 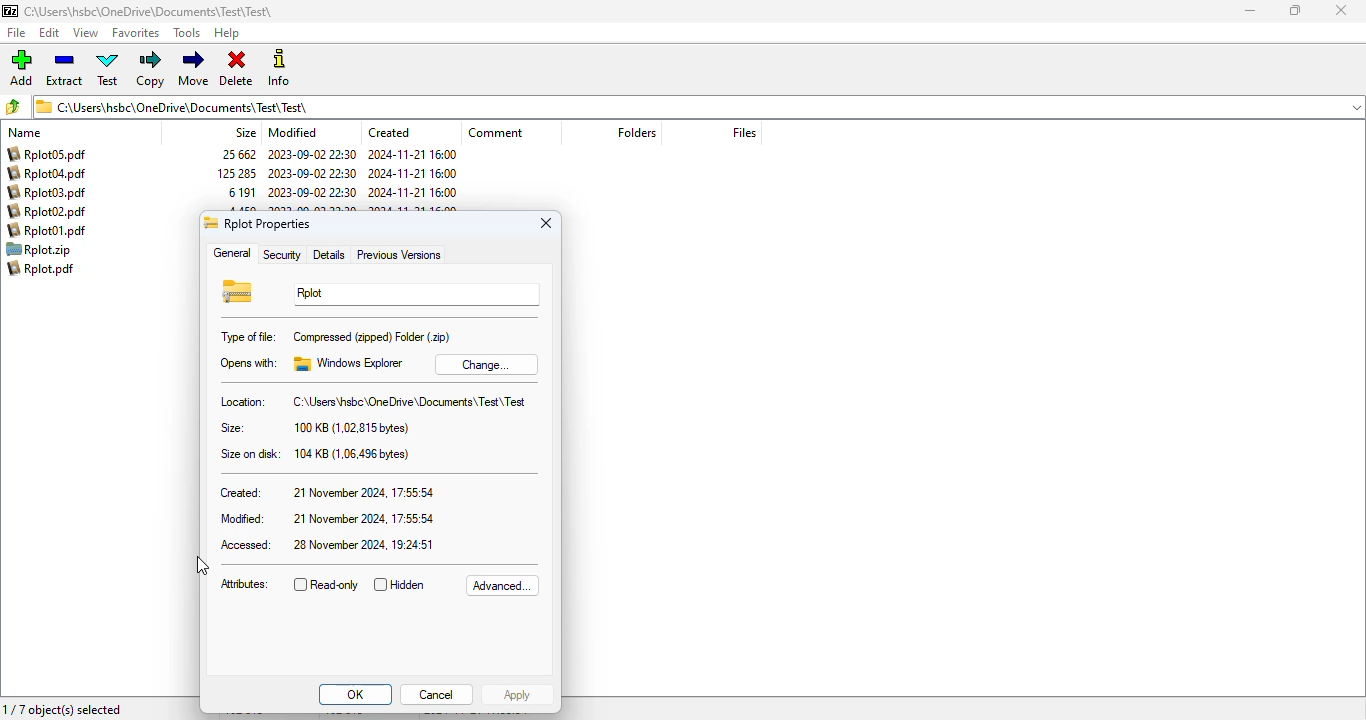 What do you see at coordinates (315, 428) in the screenshot?
I see `size: 100 KB (1,02,815 bytes)` at bounding box center [315, 428].